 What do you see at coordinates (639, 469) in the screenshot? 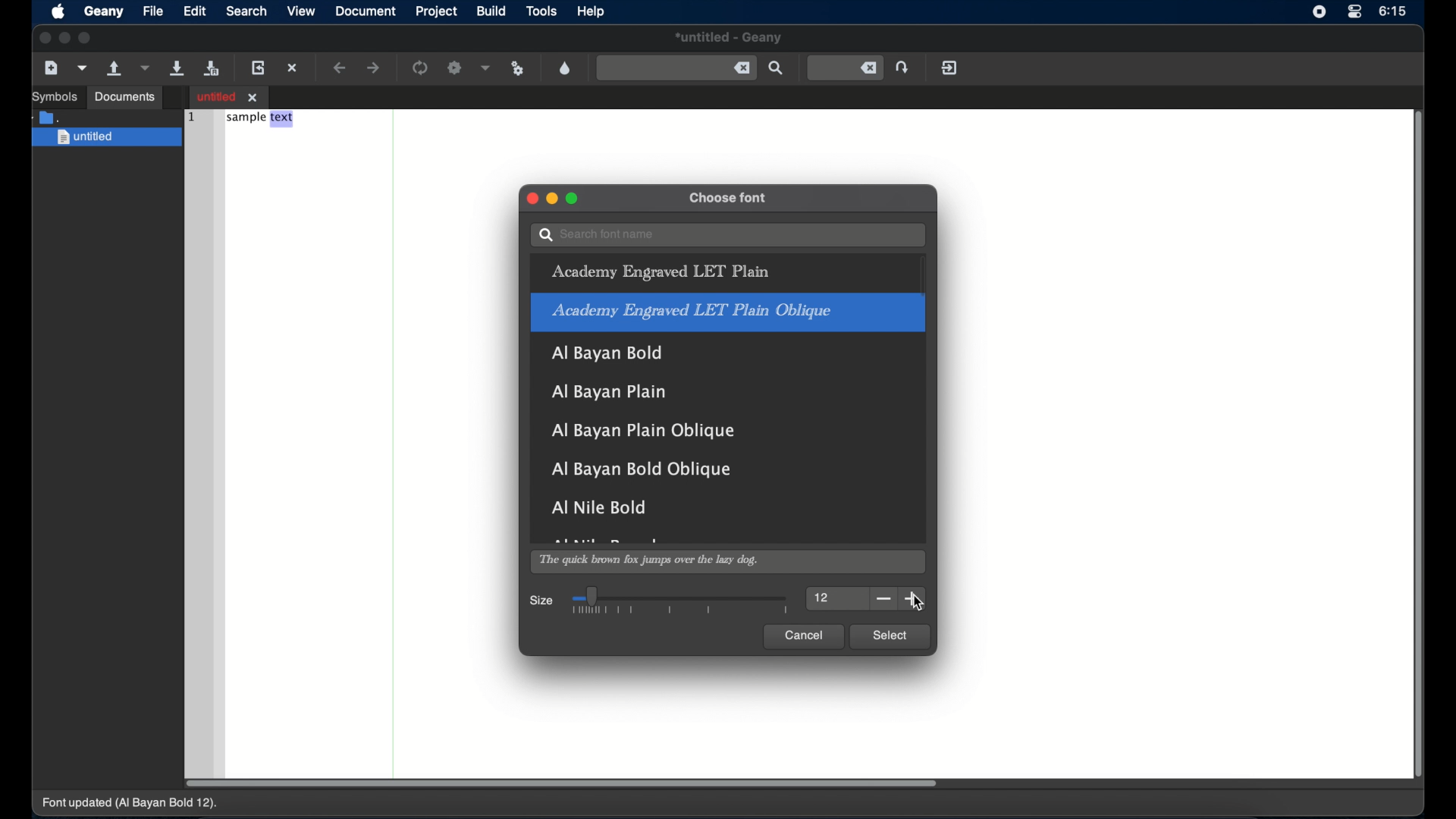
I see `al bayan bol oblique` at bounding box center [639, 469].